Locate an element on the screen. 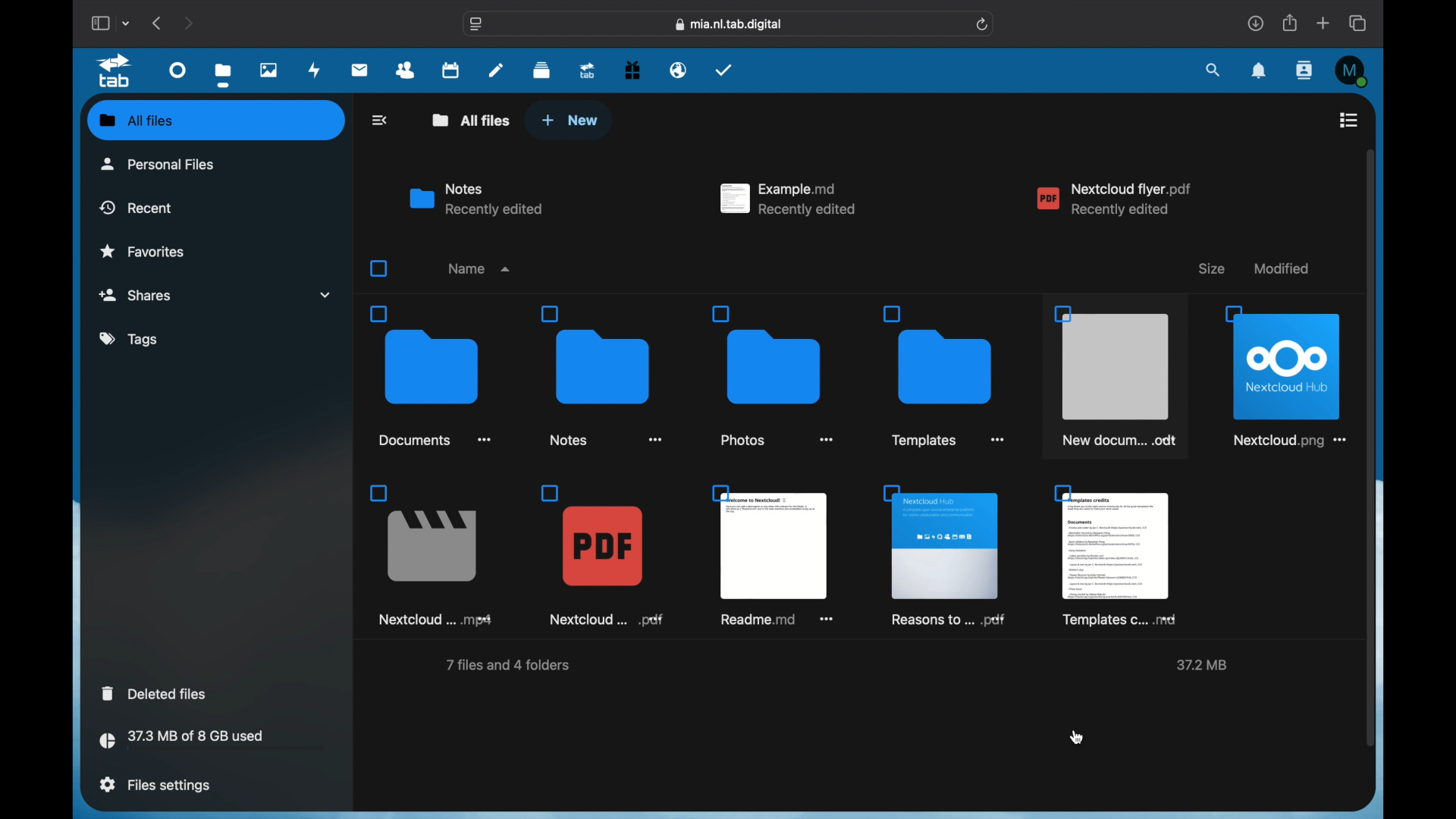  storage is located at coordinates (212, 742).